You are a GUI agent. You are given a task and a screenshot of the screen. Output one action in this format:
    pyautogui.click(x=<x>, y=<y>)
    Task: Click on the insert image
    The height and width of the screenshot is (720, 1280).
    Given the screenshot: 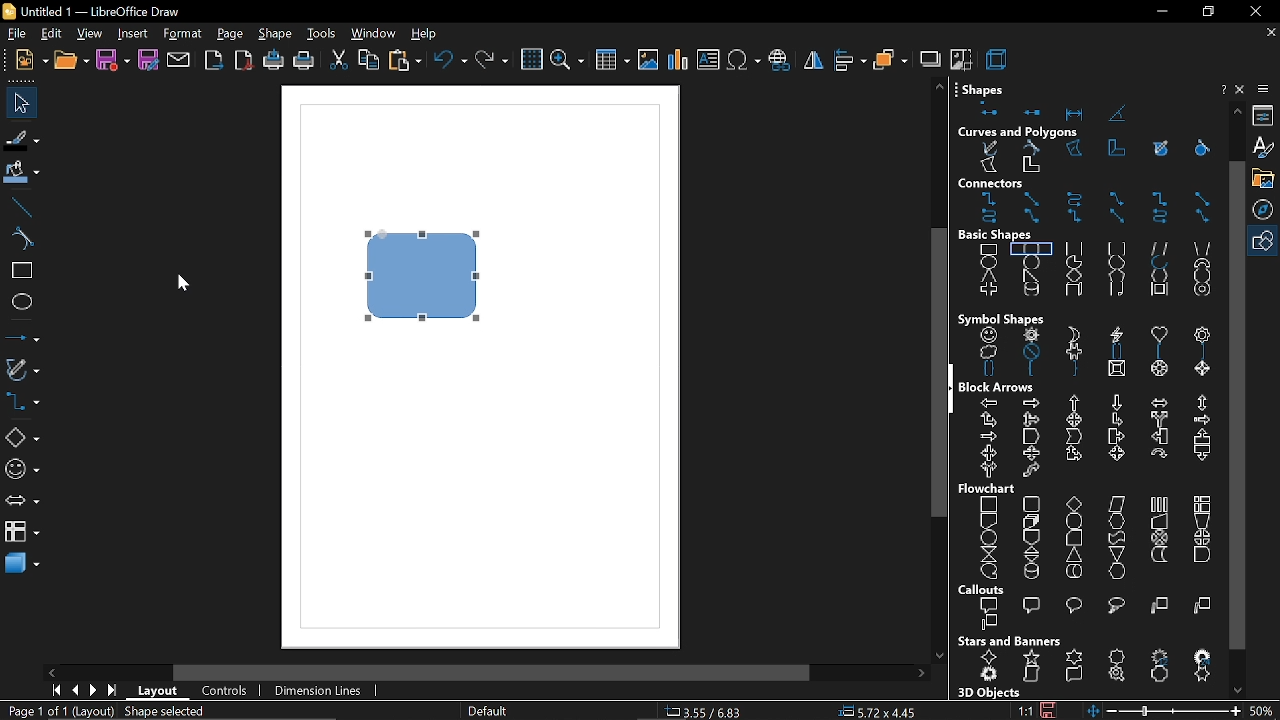 What is the action you would take?
    pyautogui.click(x=648, y=61)
    